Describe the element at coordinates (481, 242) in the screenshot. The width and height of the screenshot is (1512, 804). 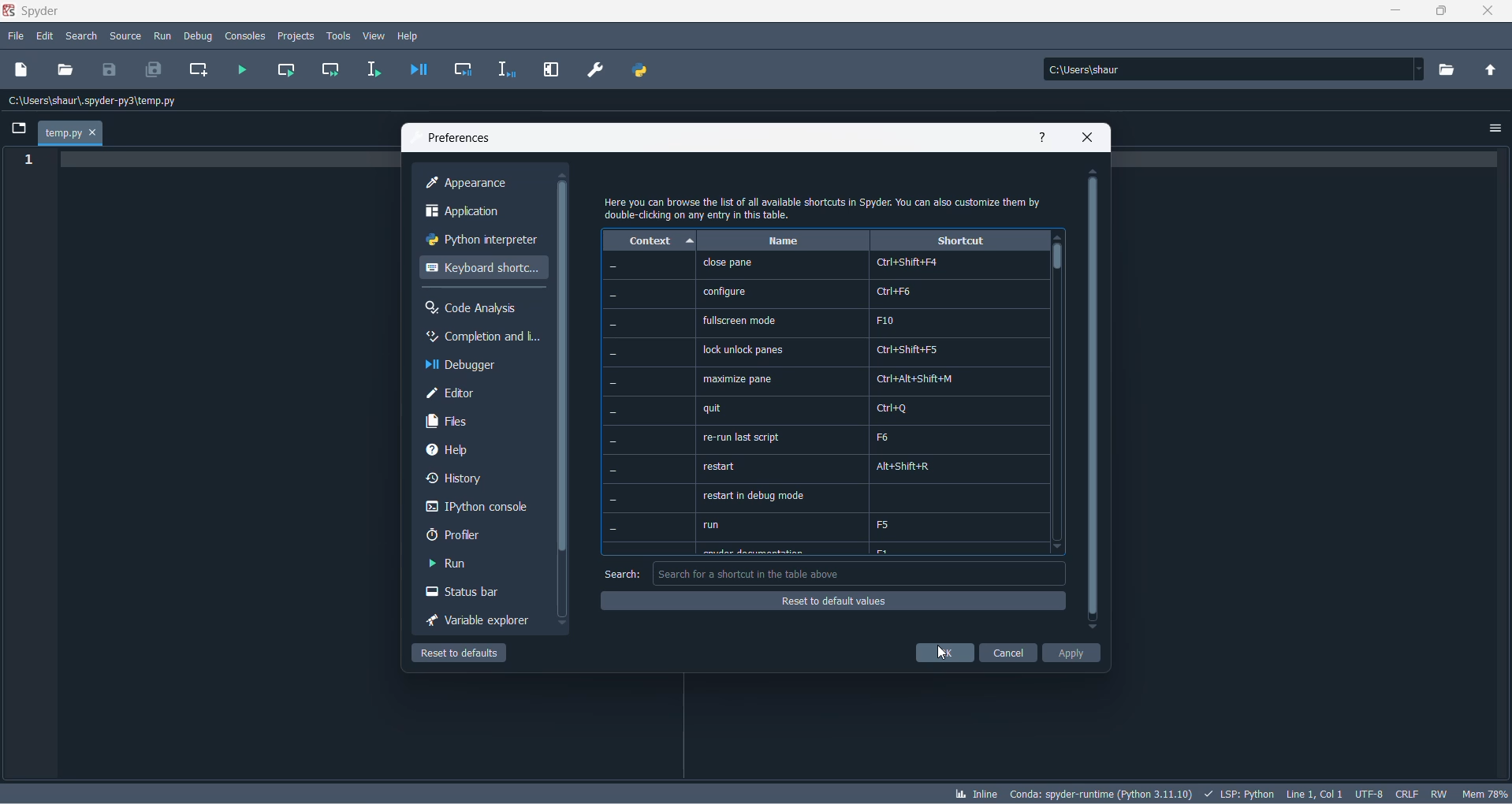
I see `python interpreter` at that location.